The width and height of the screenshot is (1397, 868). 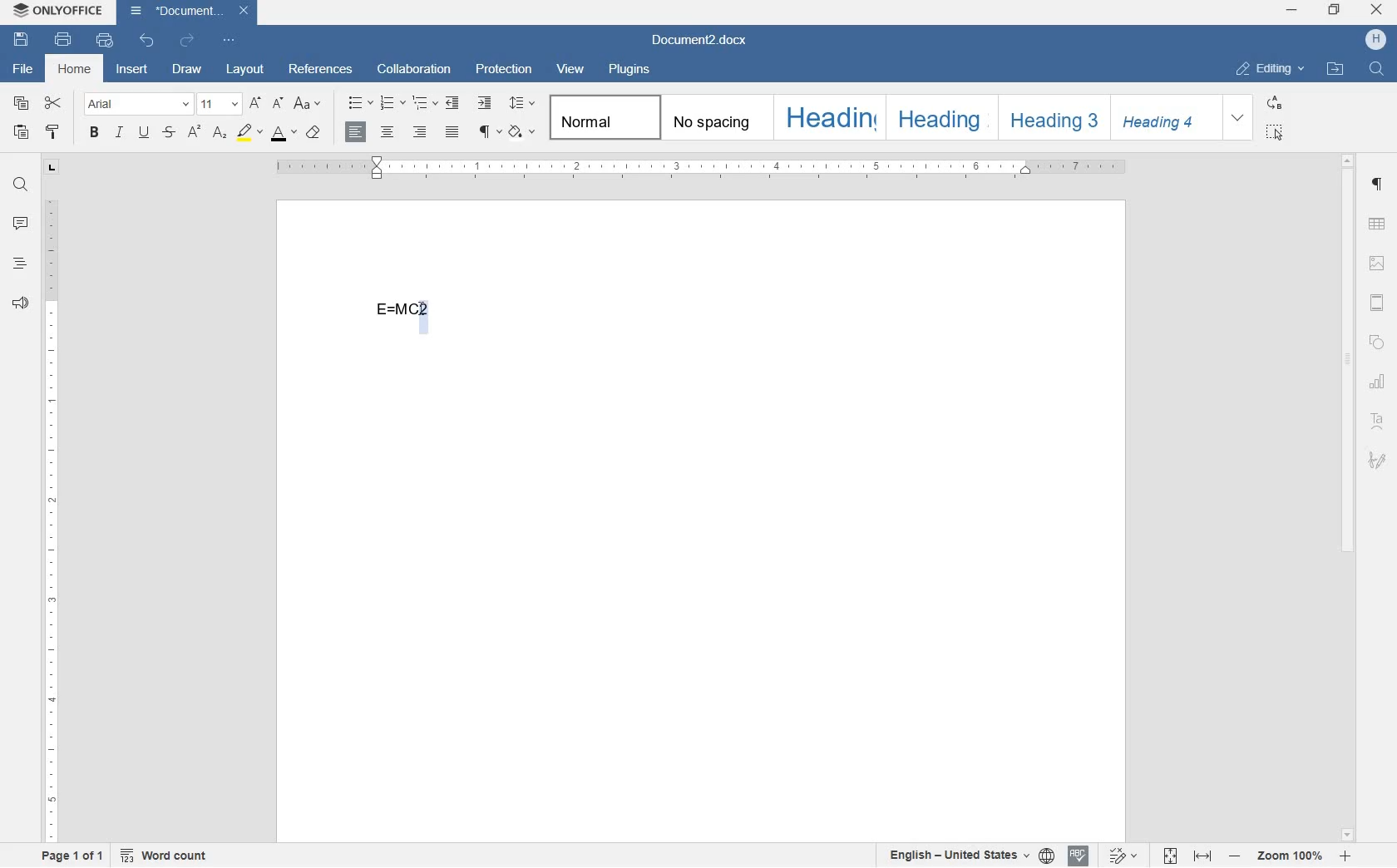 What do you see at coordinates (21, 69) in the screenshot?
I see `file` at bounding box center [21, 69].